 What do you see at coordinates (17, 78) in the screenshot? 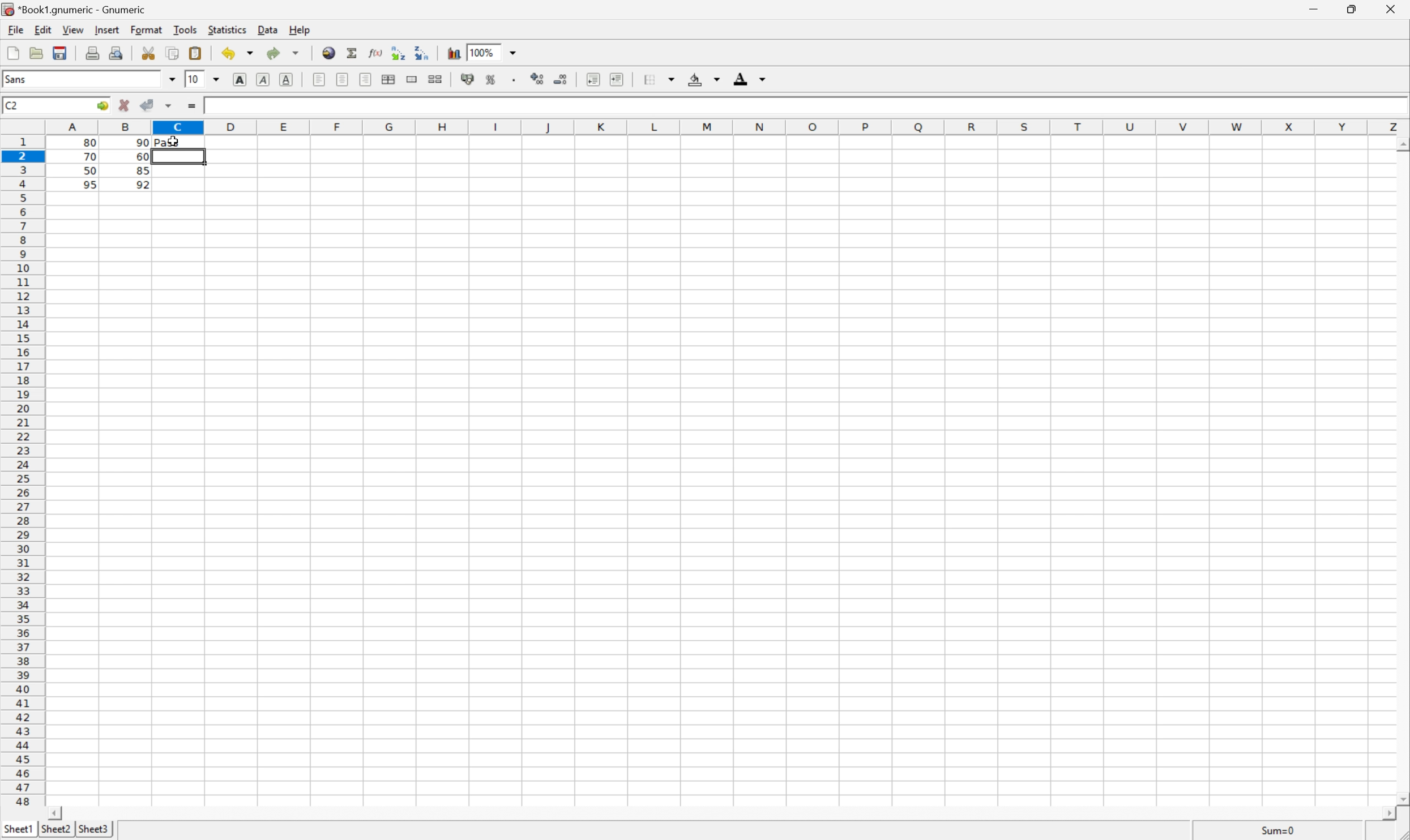
I see `Sans` at bounding box center [17, 78].